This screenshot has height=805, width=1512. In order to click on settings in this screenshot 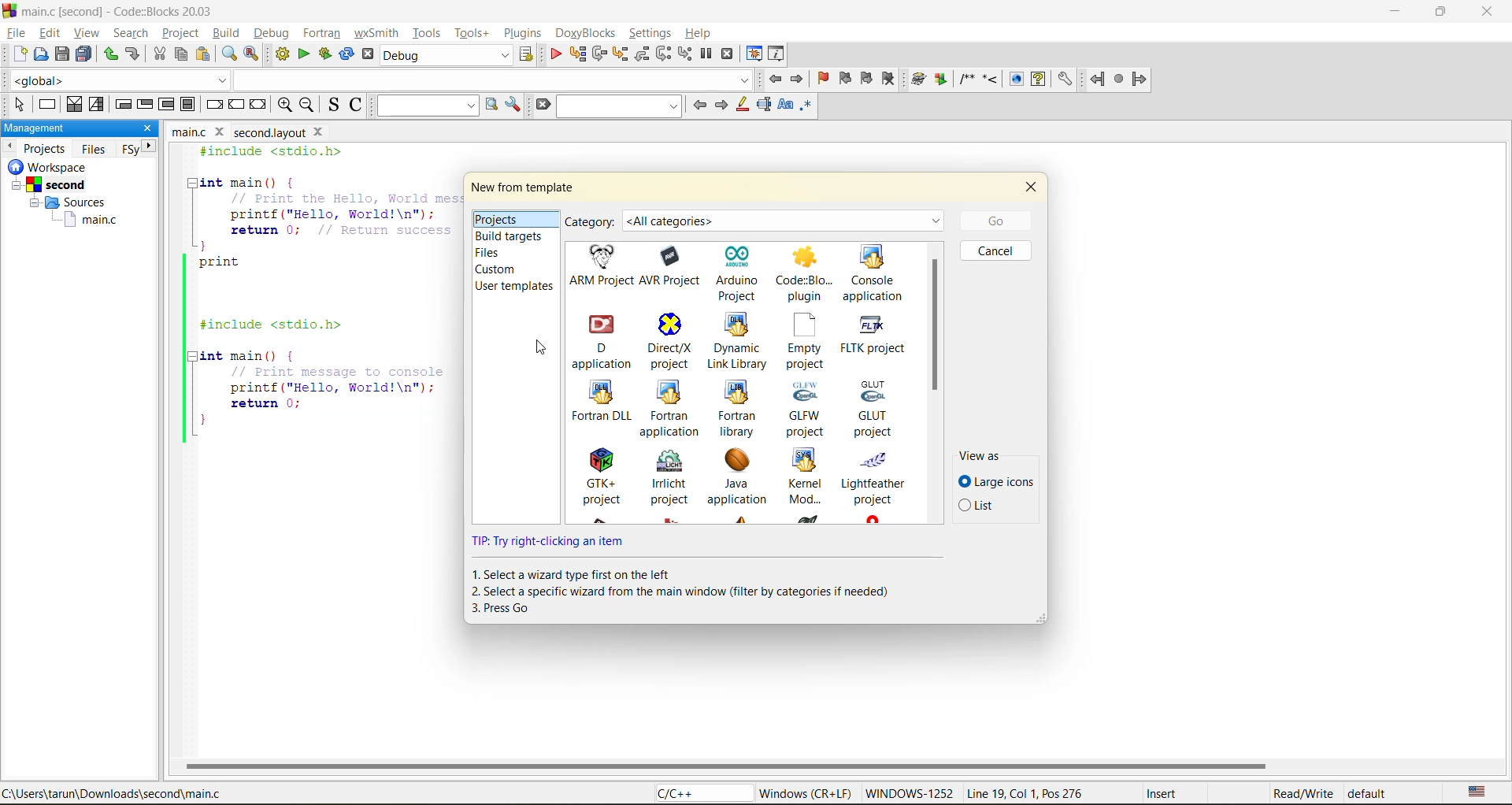, I will do `click(652, 32)`.